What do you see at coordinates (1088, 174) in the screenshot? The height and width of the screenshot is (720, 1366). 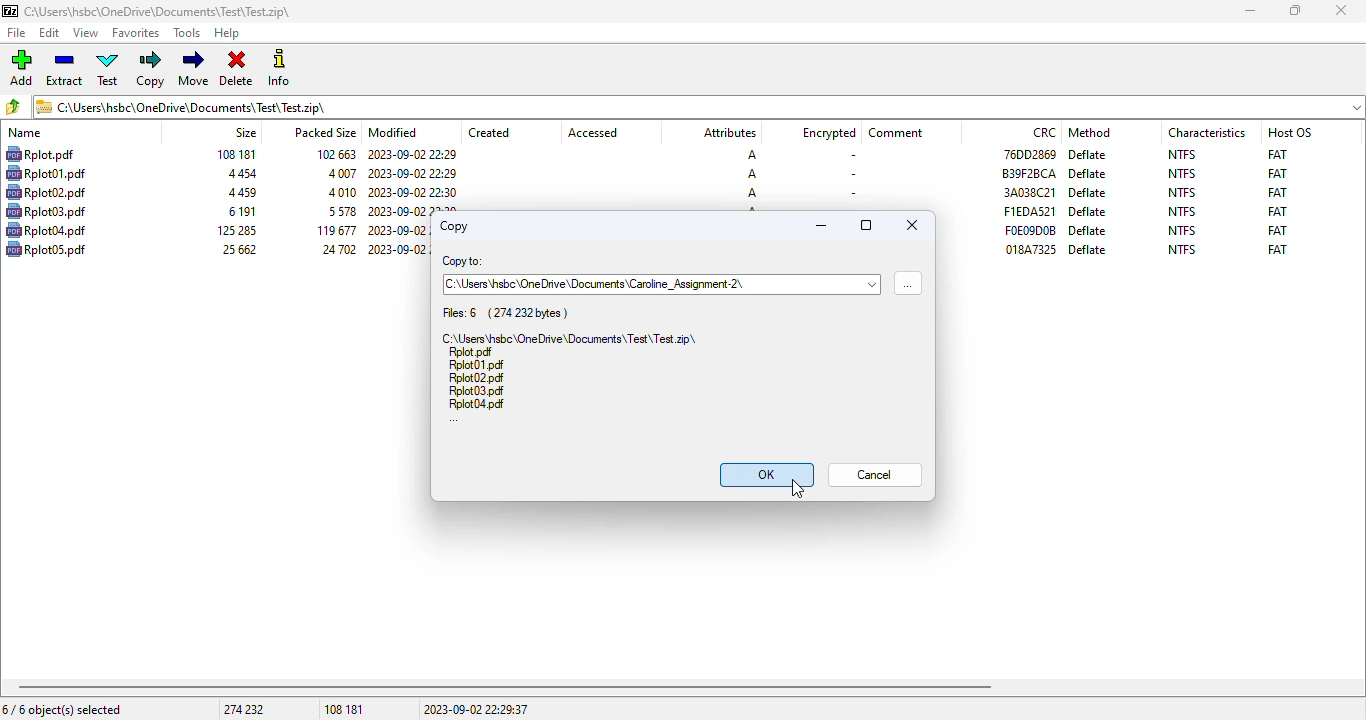 I see `deflate` at bounding box center [1088, 174].